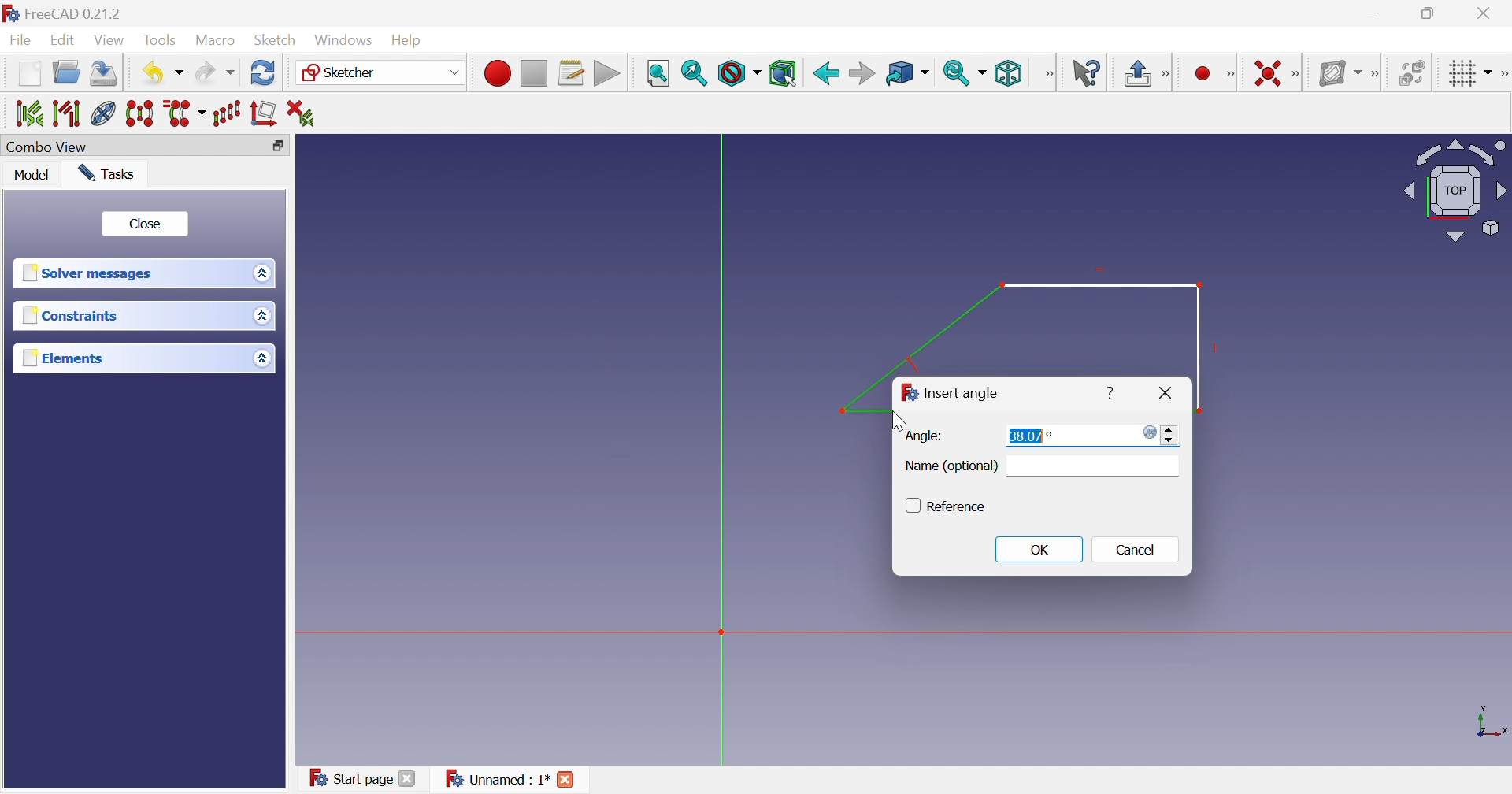 Image resolution: width=1512 pixels, height=794 pixels. What do you see at coordinates (910, 506) in the screenshot?
I see `Checkbox` at bounding box center [910, 506].